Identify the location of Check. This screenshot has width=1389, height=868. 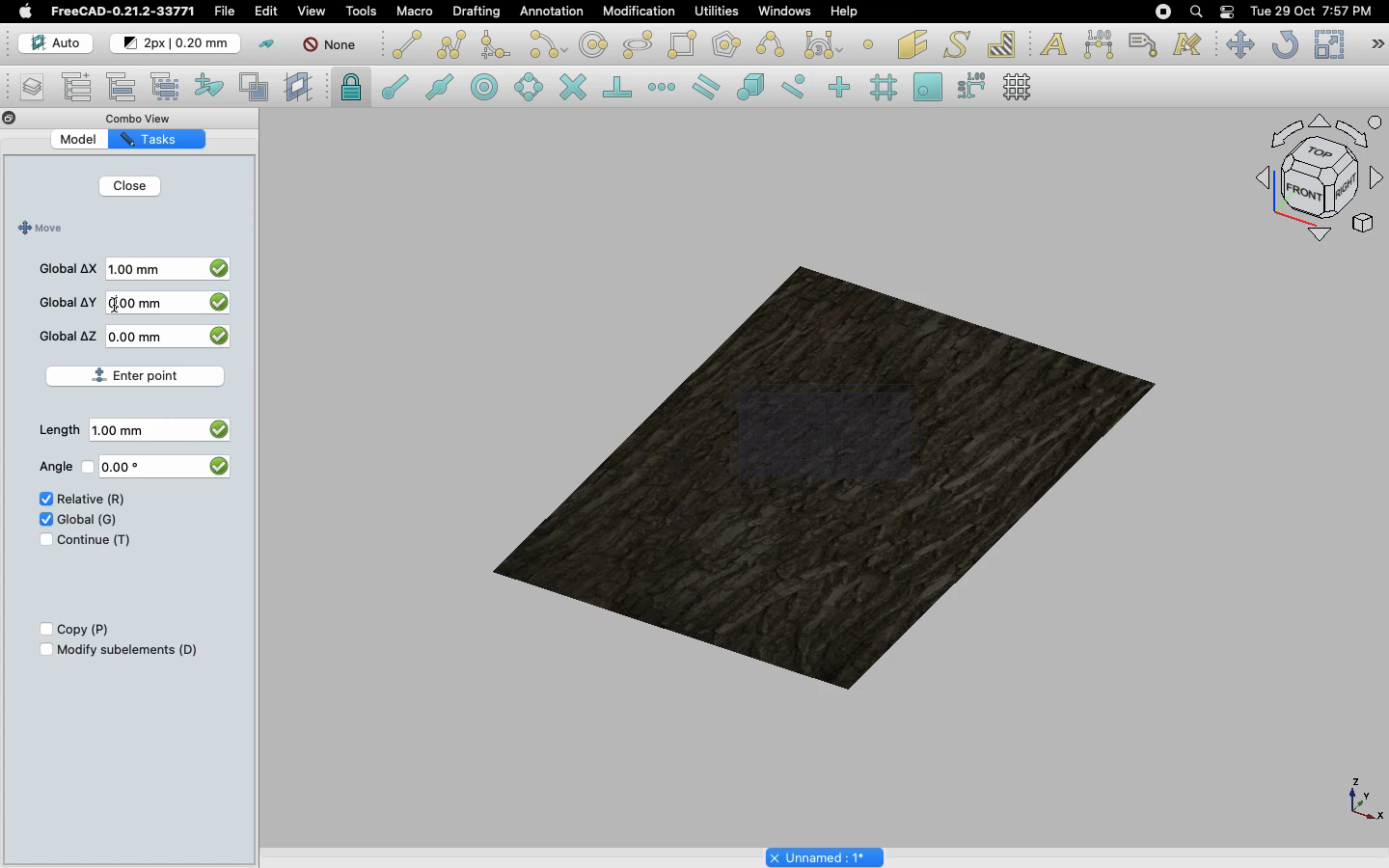
(40, 542).